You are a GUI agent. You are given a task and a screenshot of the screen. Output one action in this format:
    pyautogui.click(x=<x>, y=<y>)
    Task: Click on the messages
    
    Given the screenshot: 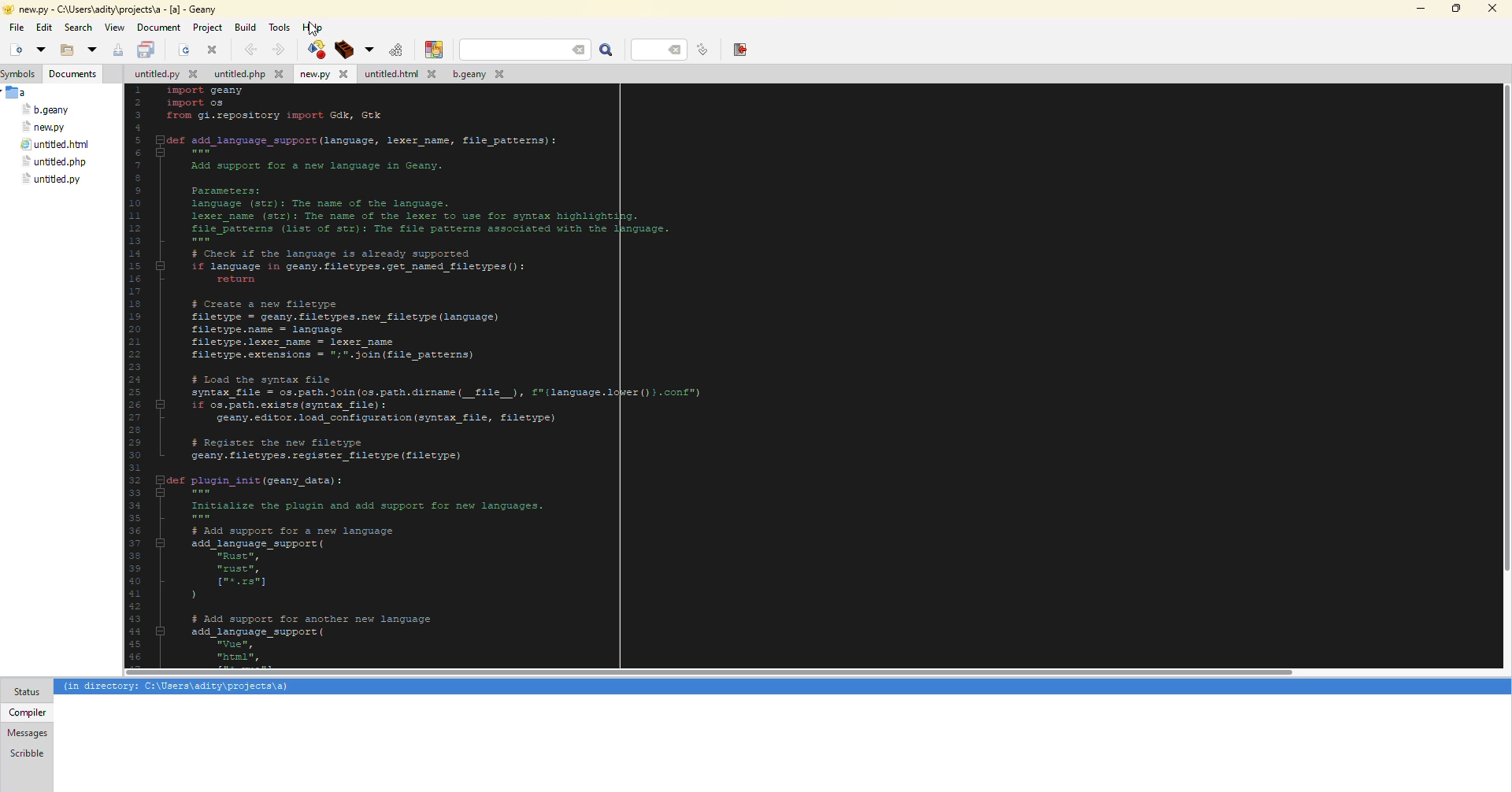 What is the action you would take?
    pyautogui.click(x=28, y=733)
    